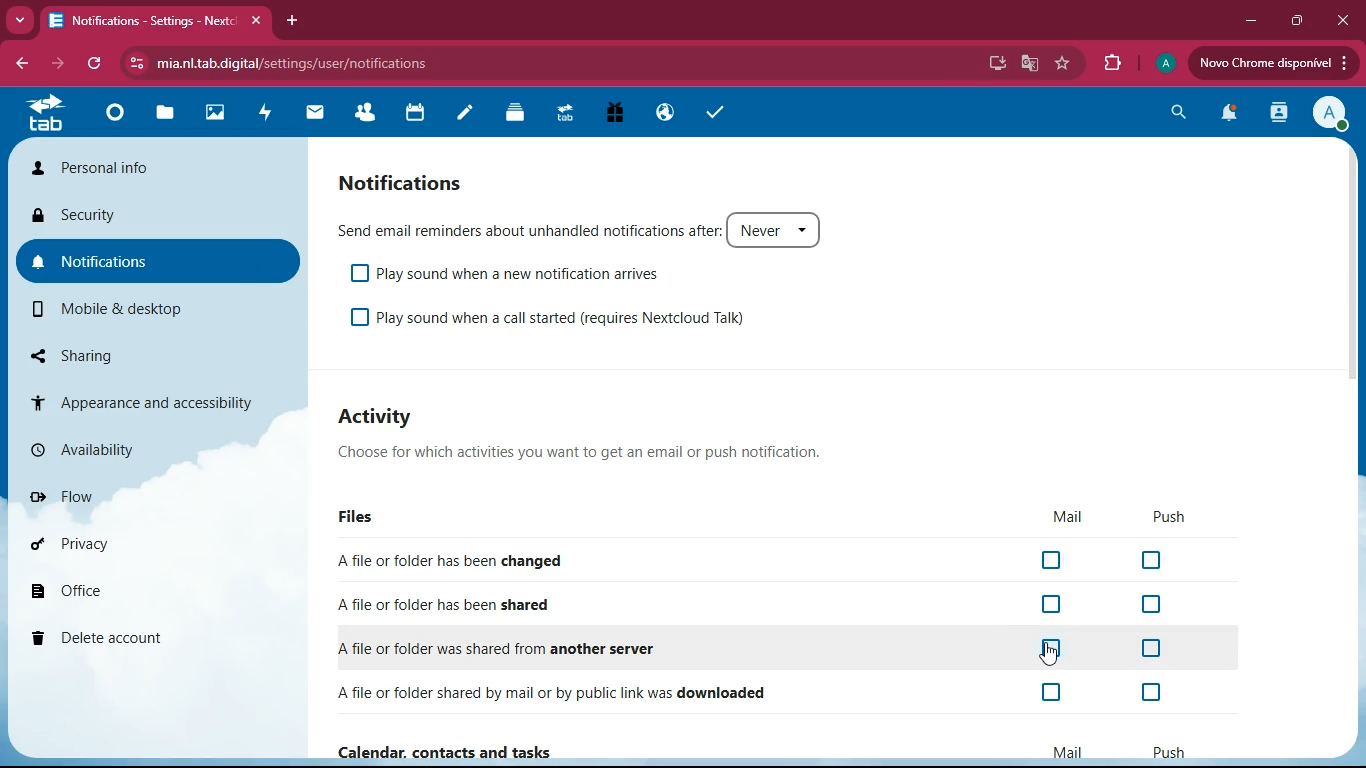 The width and height of the screenshot is (1366, 768). What do you see at coordinates (1057, 693) in the screenshot?
I see `off` at bounding box center [1057, 693].